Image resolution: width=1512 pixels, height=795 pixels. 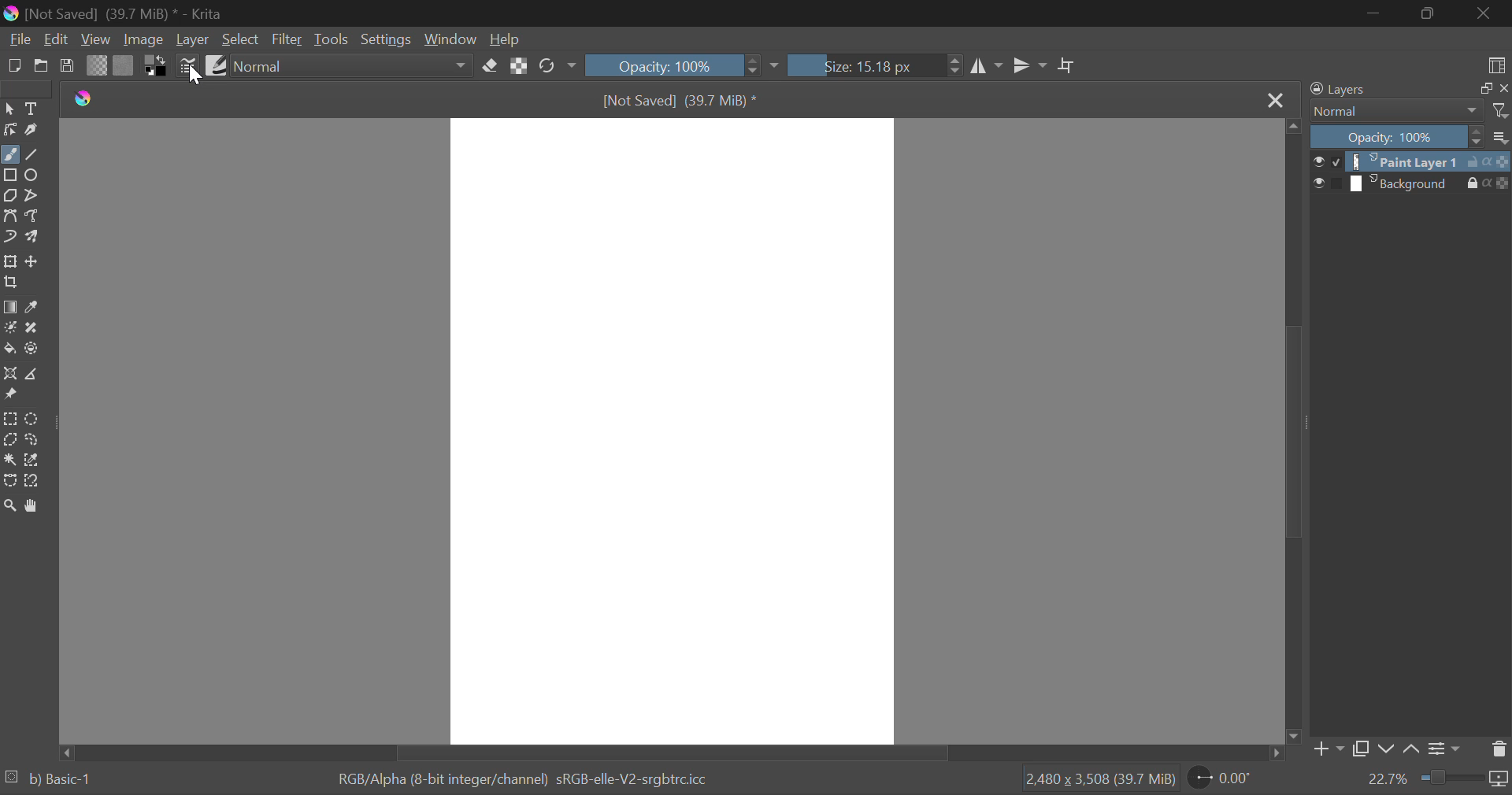 I want to click on Zoom 22.7%, so click(x=1435, y=780).